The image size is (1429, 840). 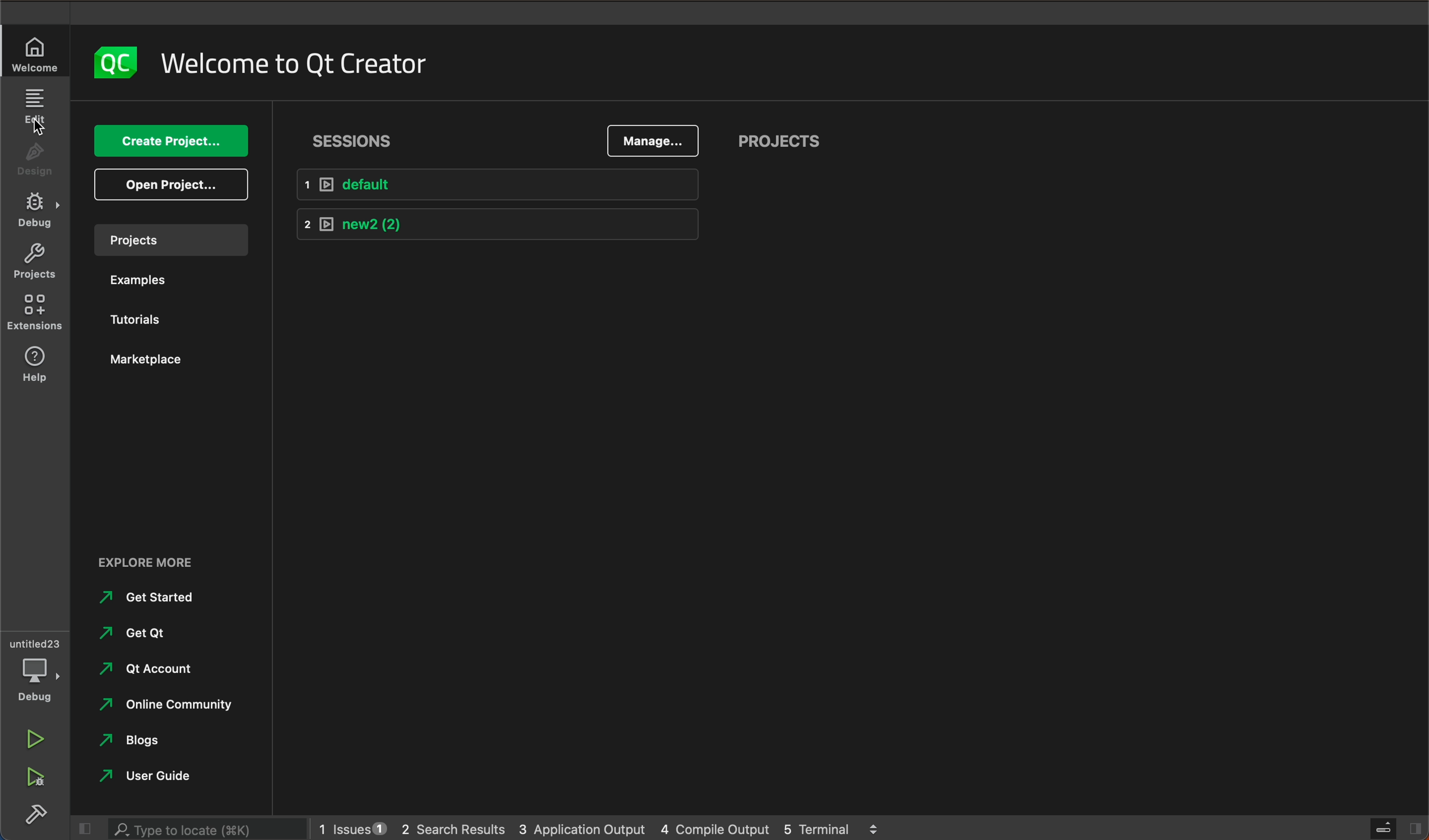 I want to click on close slide bar, so click(x=86, y=829).